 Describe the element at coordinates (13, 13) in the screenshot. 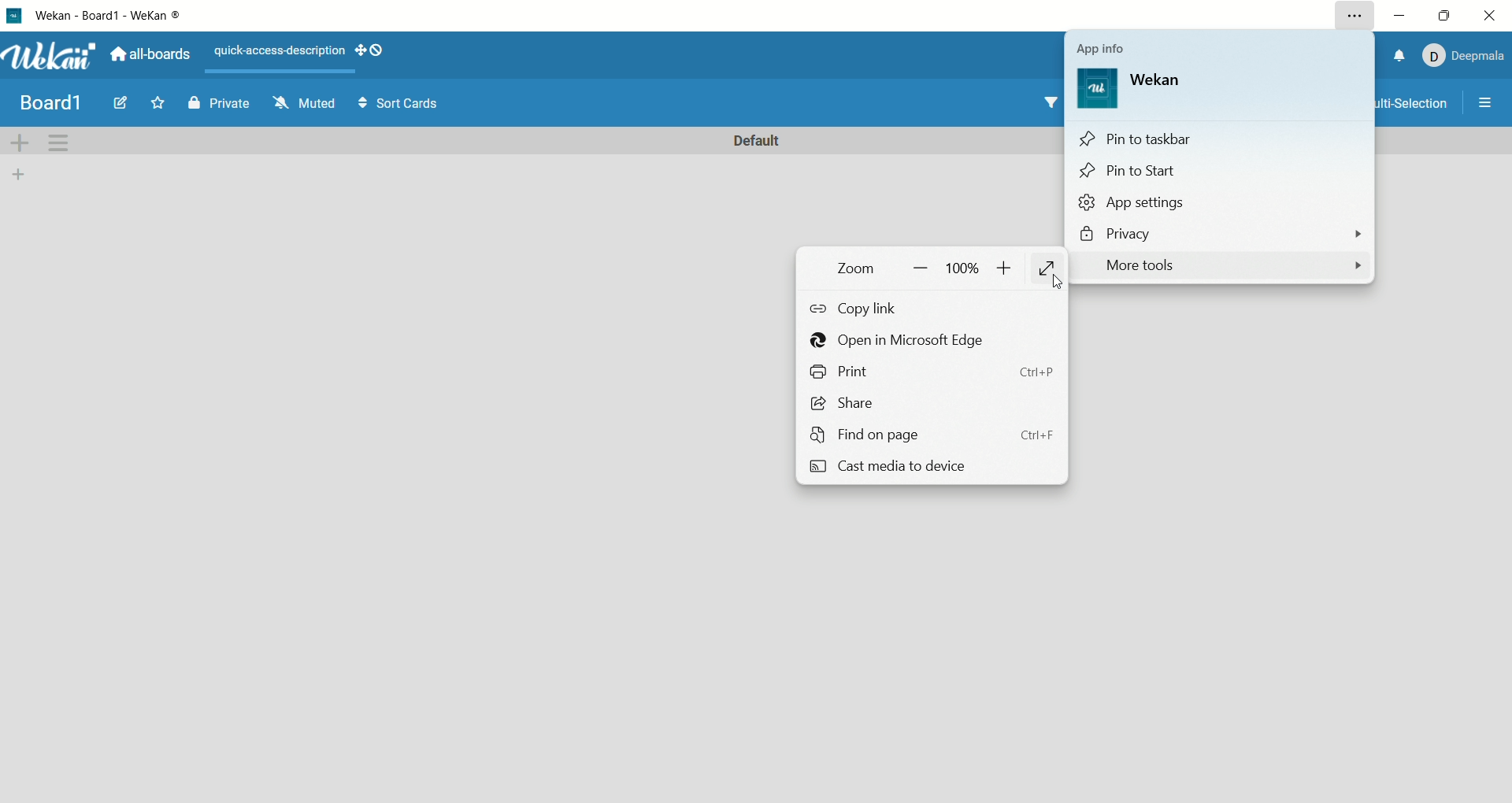

I see `logo` at that location.